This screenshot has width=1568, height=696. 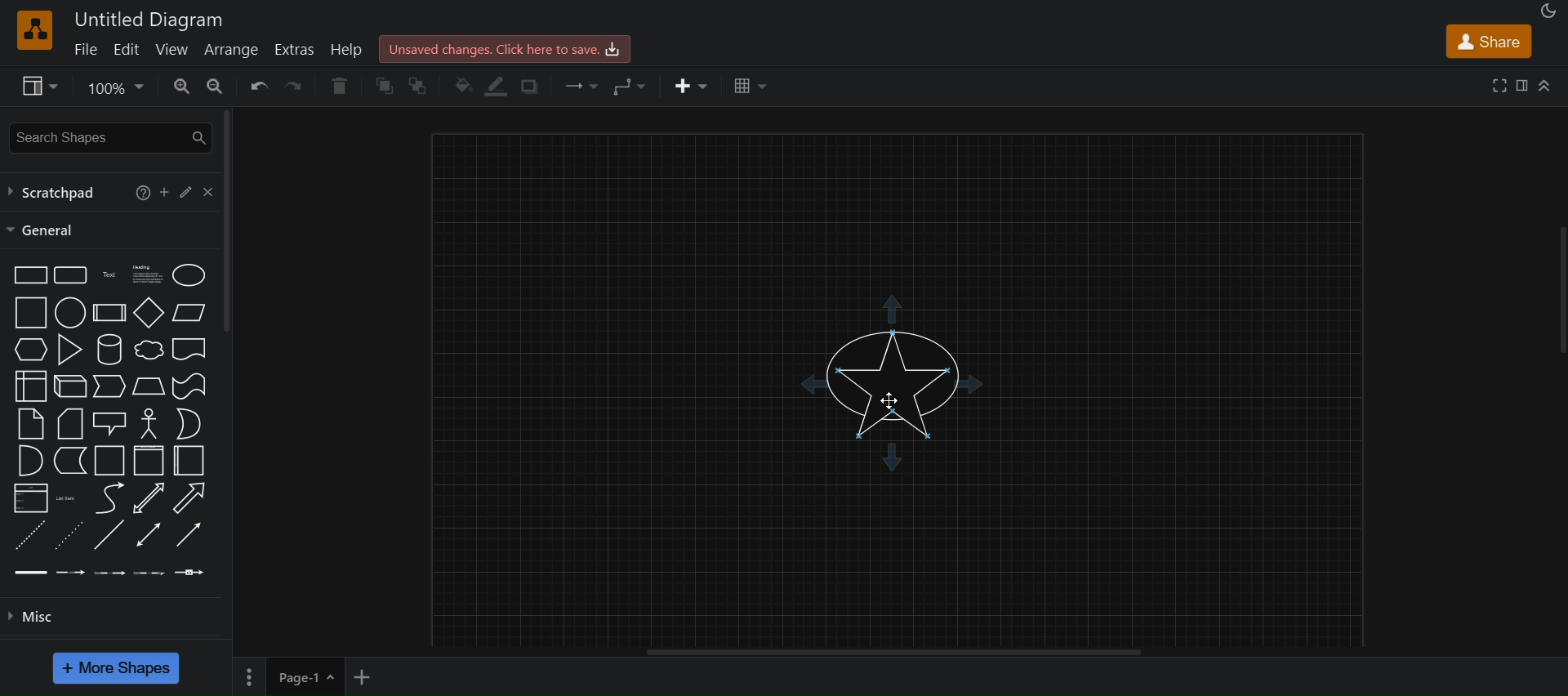 I want to click on ellipse, so click(x=189, y=274).